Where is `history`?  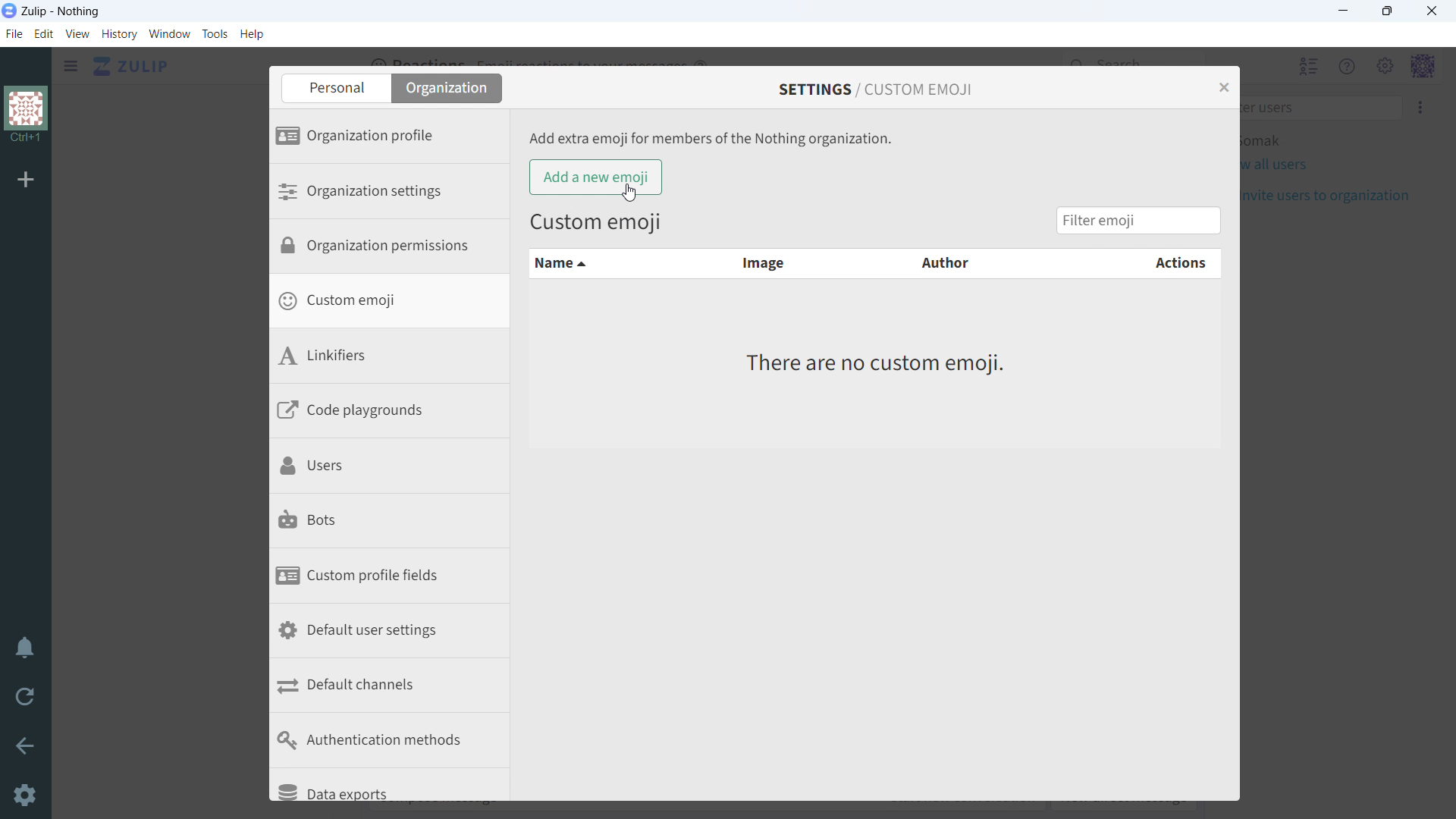 history is located at coordinates (119, 34).